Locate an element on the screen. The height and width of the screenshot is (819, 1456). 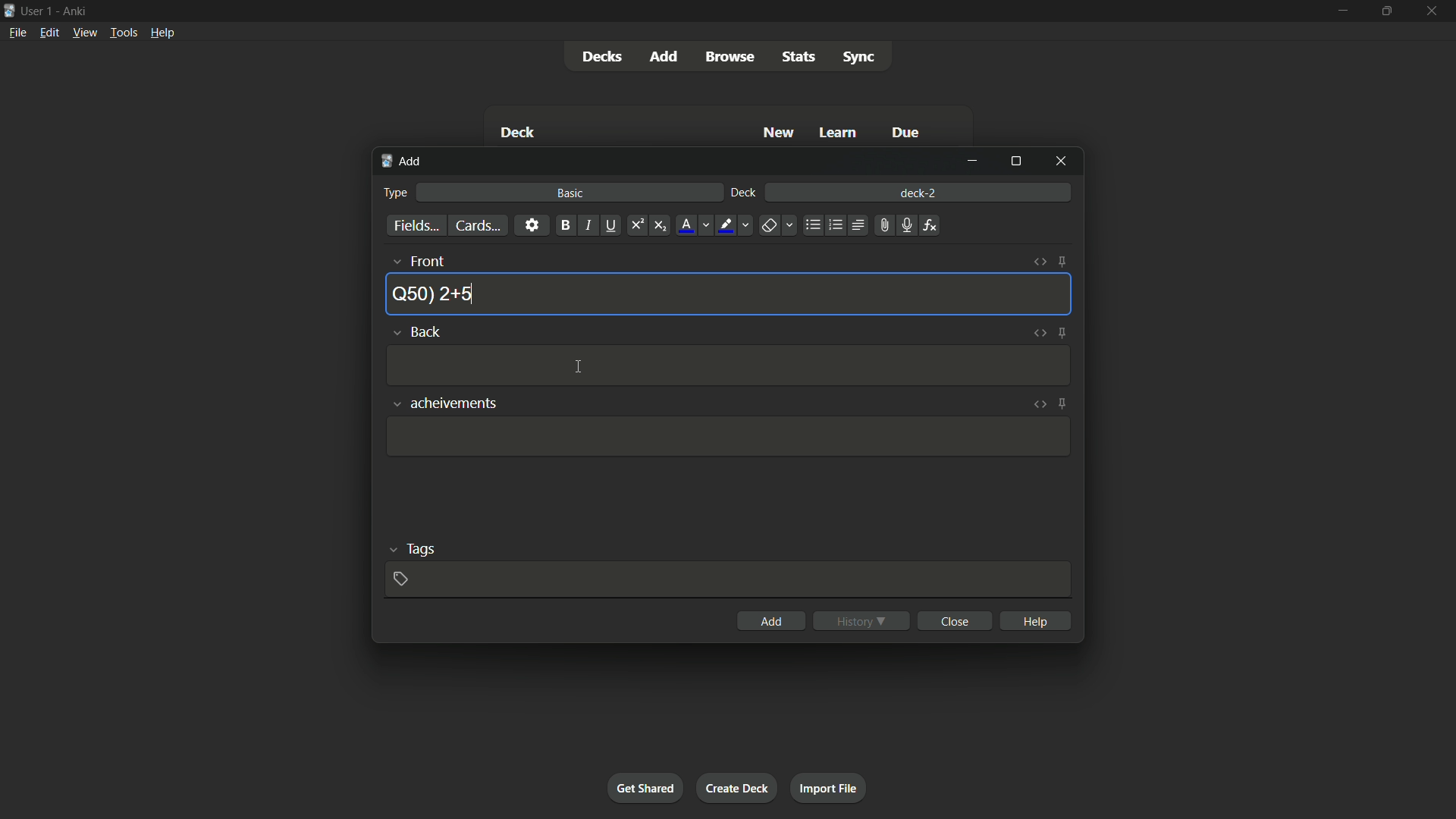
New is located at coordinates (777, 133).